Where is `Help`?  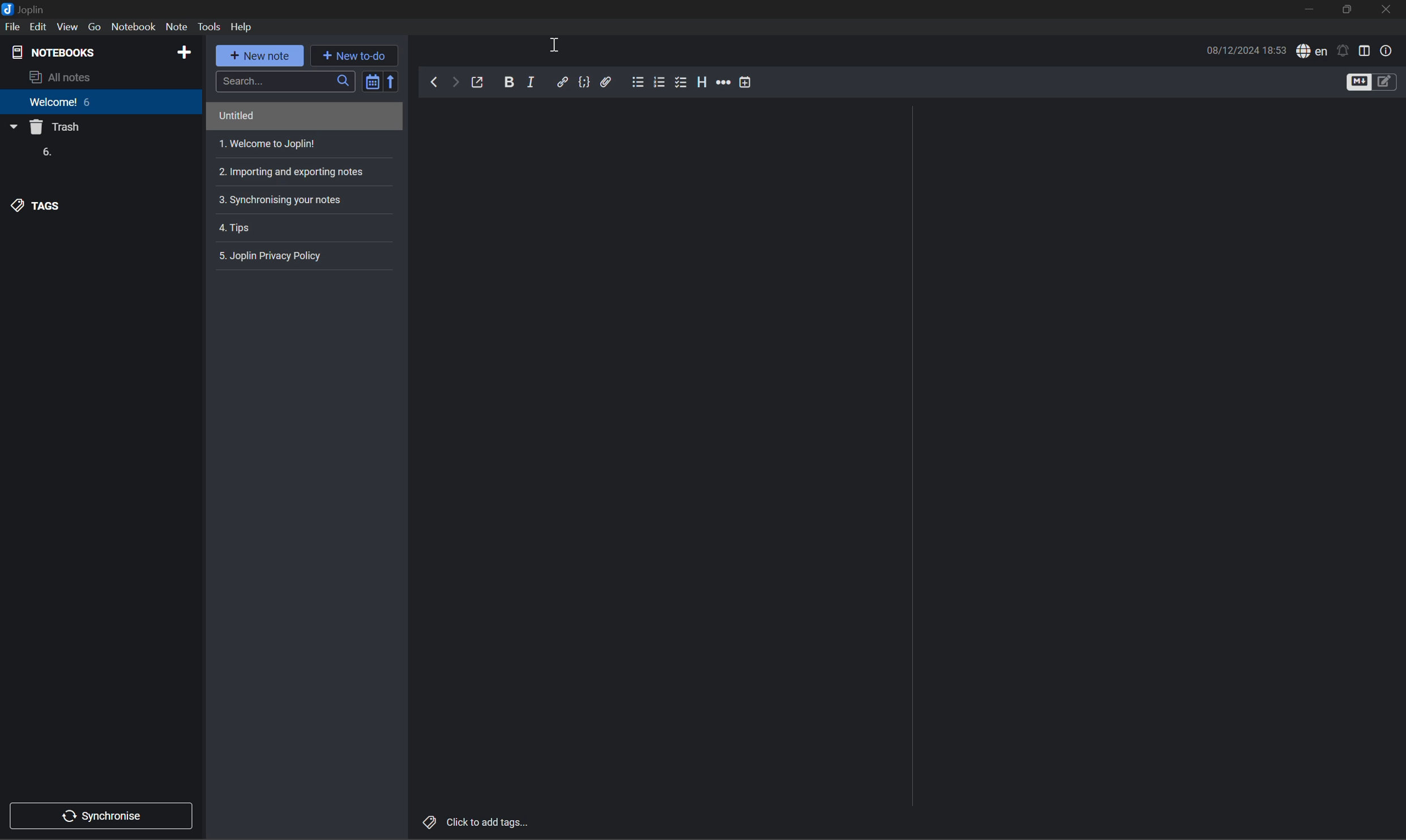 Help is located at coordinates (246, 27).